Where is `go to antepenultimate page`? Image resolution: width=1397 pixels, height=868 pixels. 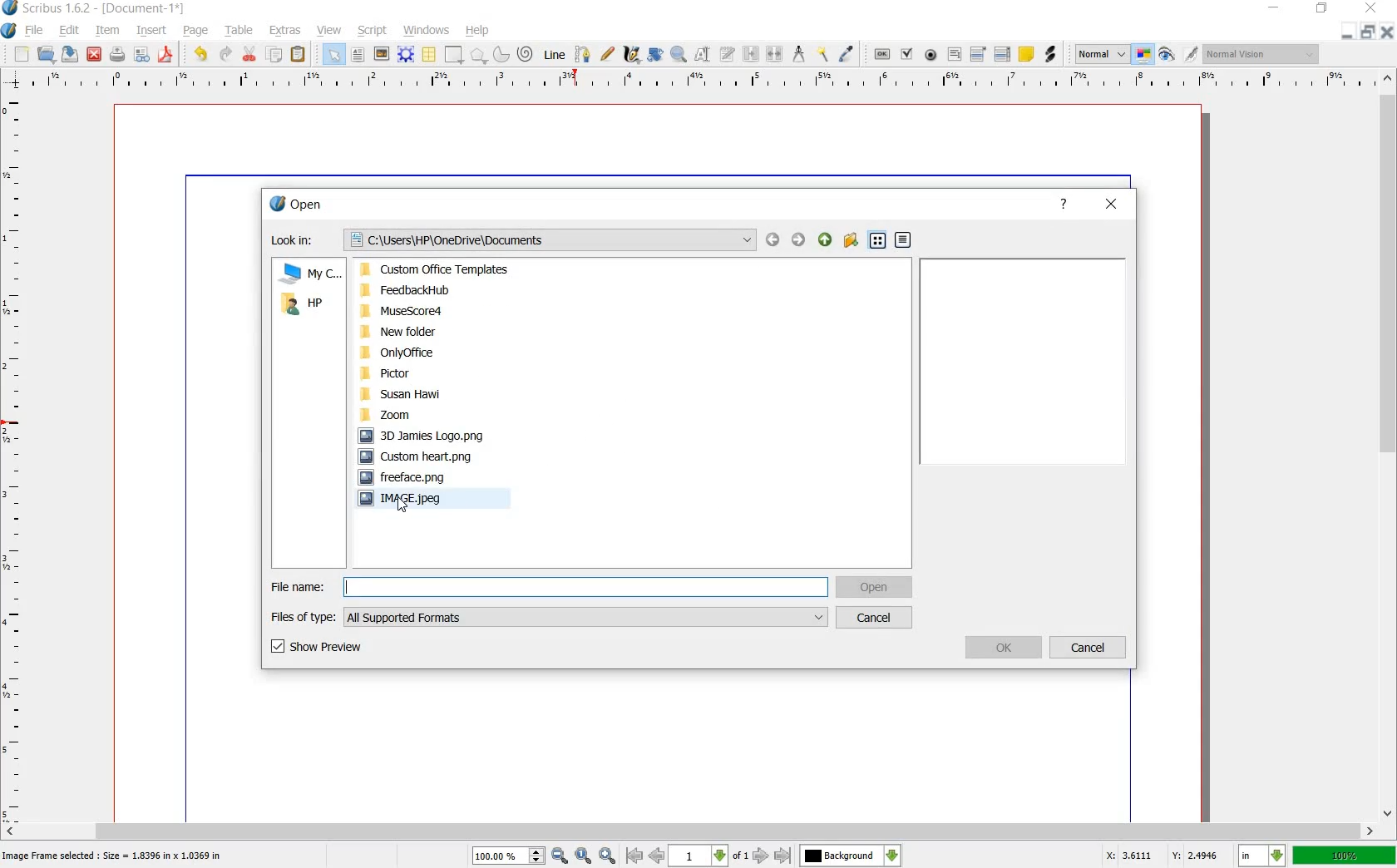
go to antepenultimate page is located at coordinates (634, 856).